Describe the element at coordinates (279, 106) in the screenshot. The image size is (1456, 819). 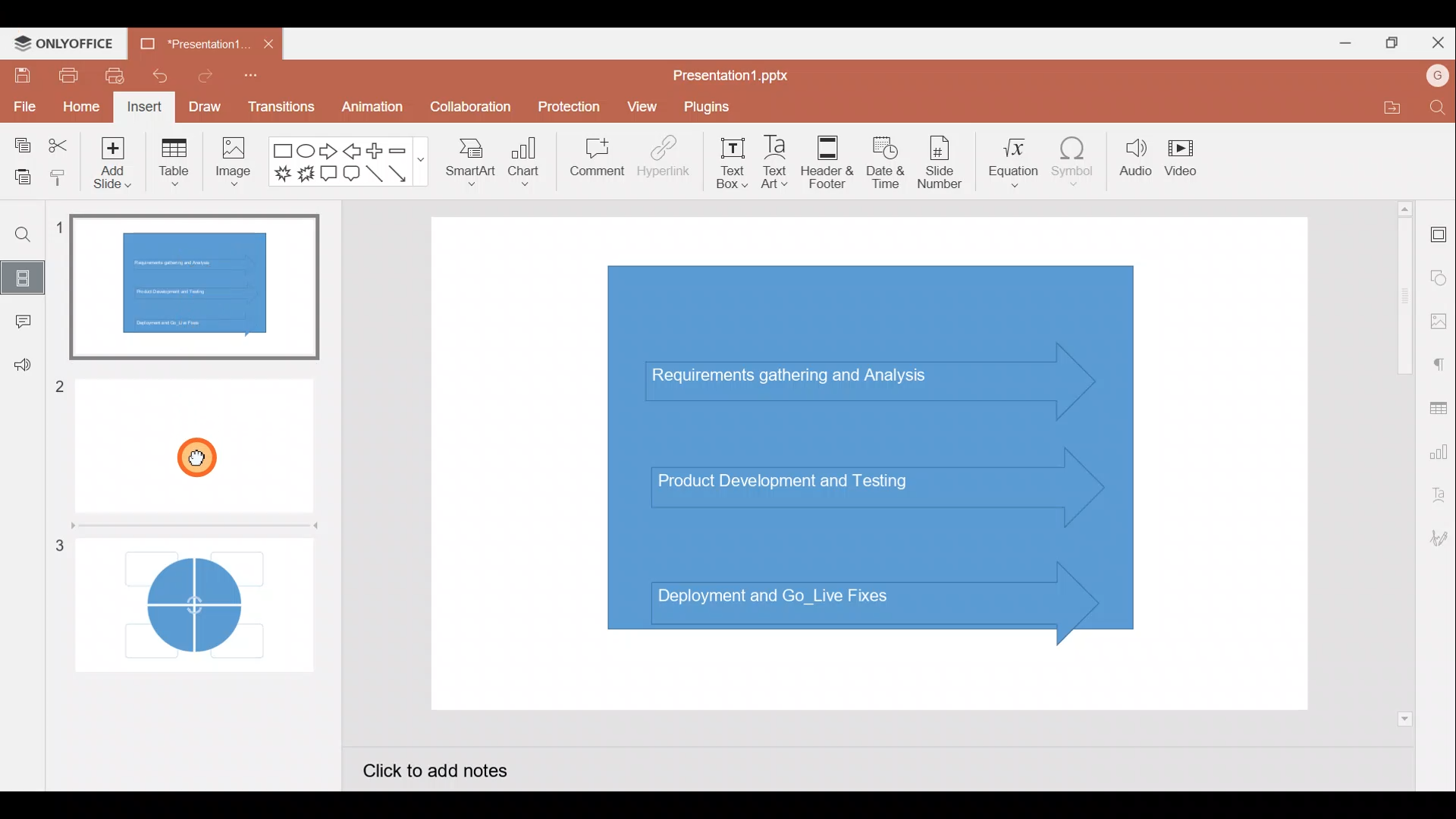
I see `Transitions` at that location.